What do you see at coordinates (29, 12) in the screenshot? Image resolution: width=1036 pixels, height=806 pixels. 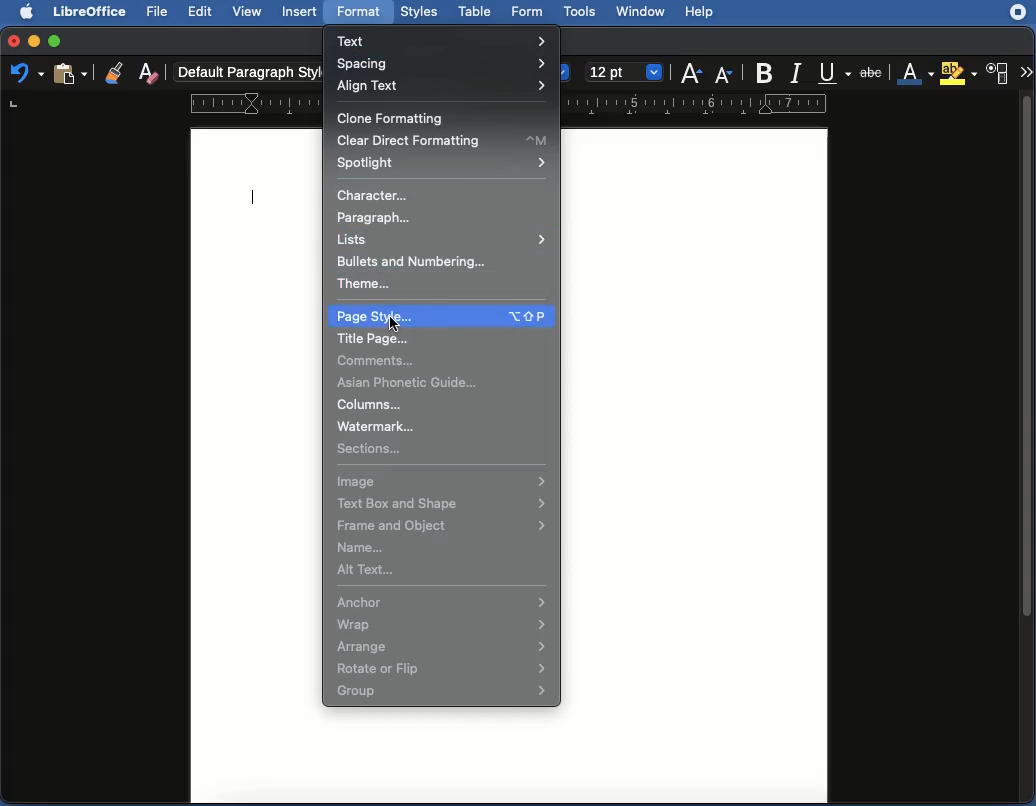 I see `Apple logo` at bounding box center [29, 12].